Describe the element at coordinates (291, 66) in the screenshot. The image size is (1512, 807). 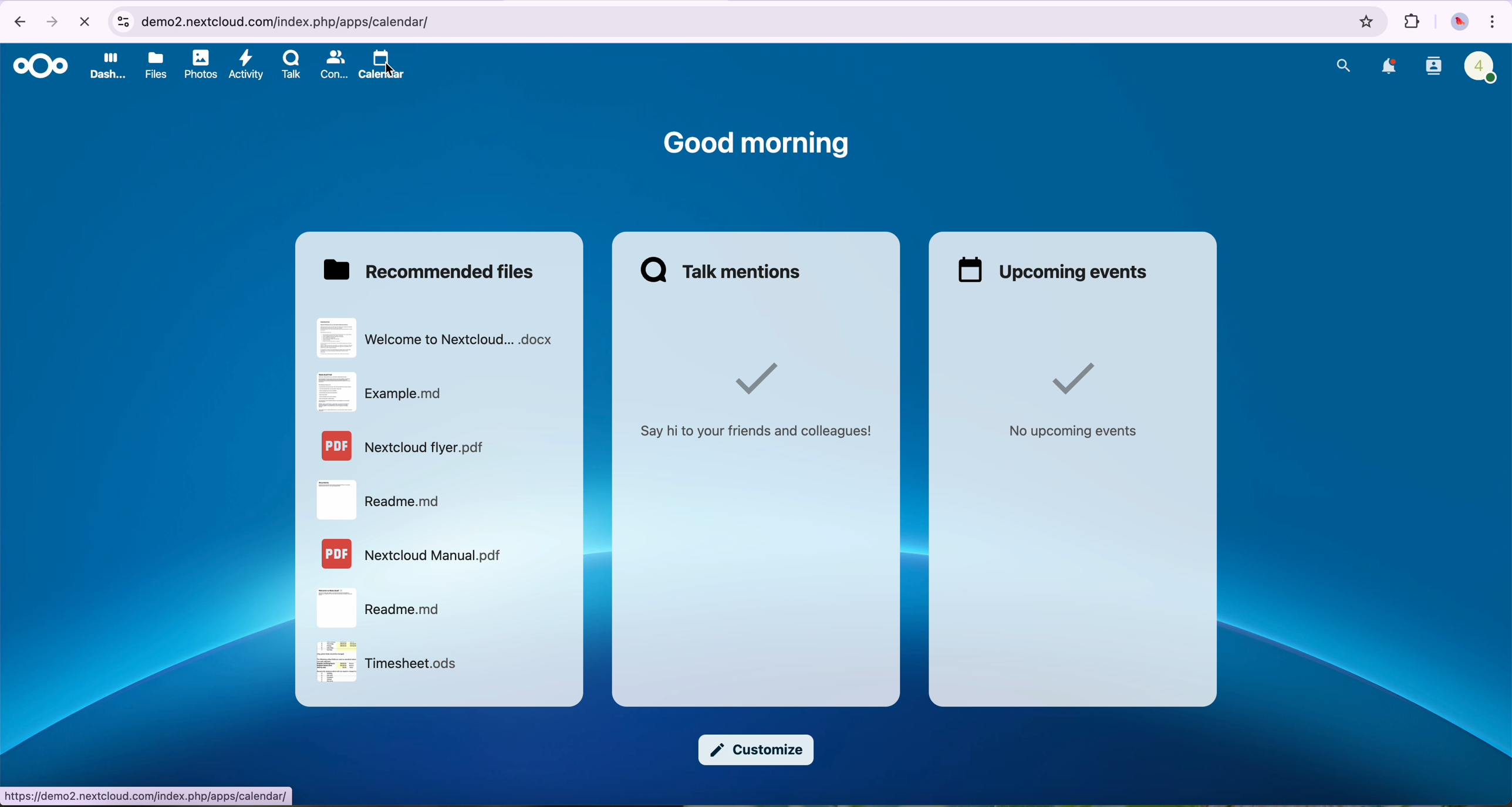
I see `Talk` at that location.